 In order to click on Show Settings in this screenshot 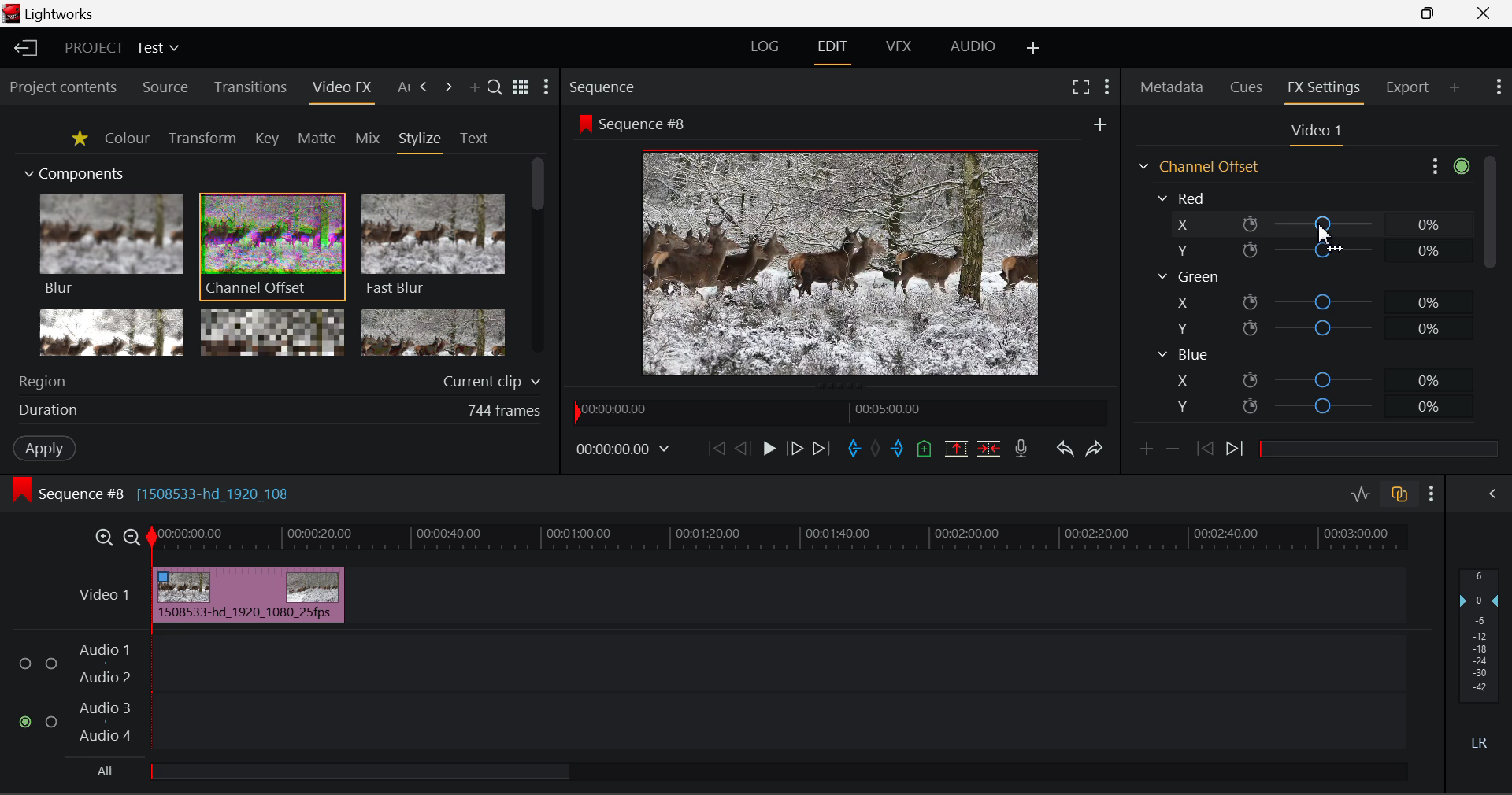, I will do `click(1431, 494)`.